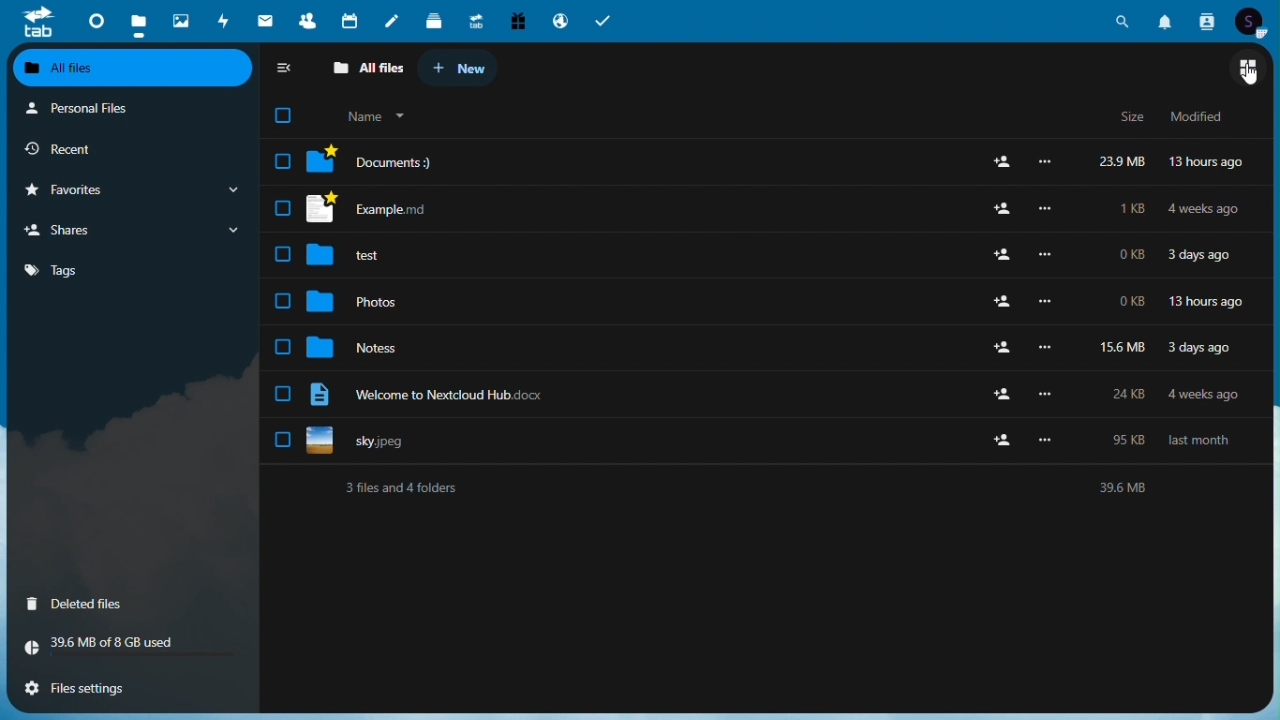 This screenshot has width=1280, height=720. I want to click on tags, so click(130, 271).